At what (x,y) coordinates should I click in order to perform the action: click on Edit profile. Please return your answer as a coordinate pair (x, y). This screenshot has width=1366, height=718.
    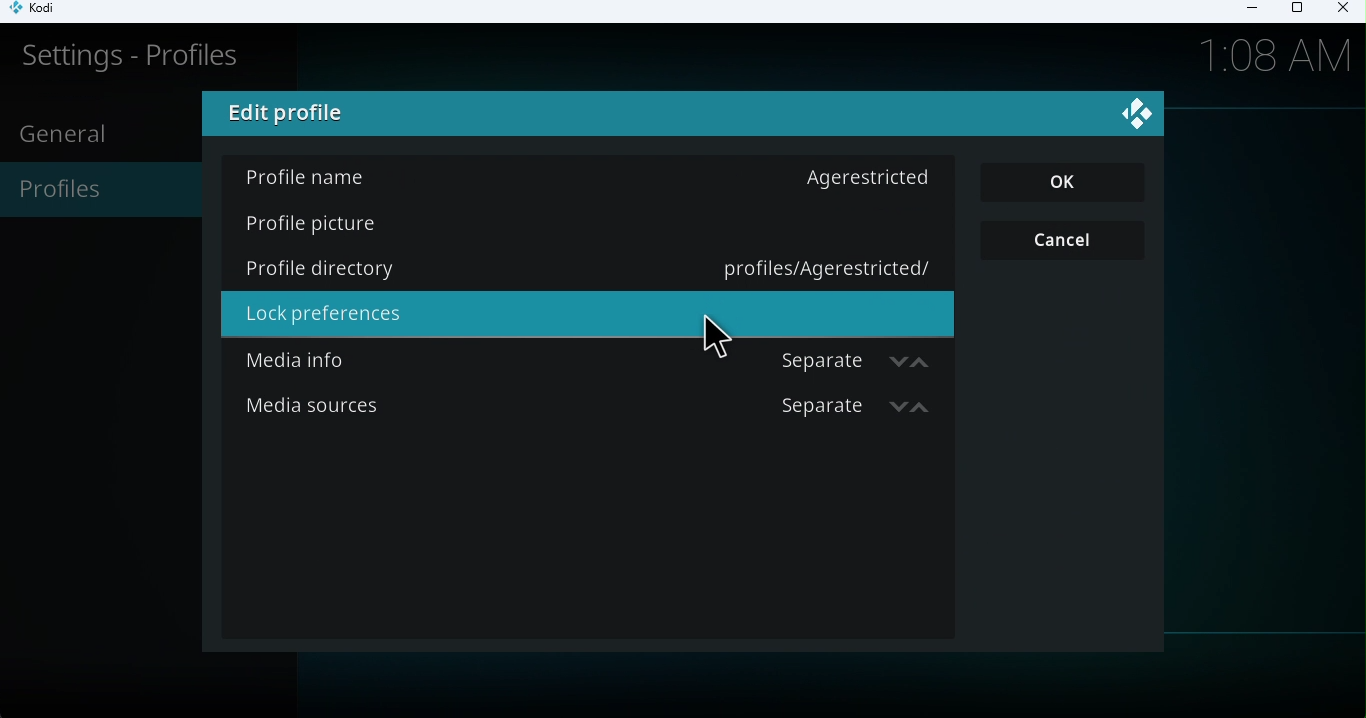
    Looking at the image, I should click on (295, 116).